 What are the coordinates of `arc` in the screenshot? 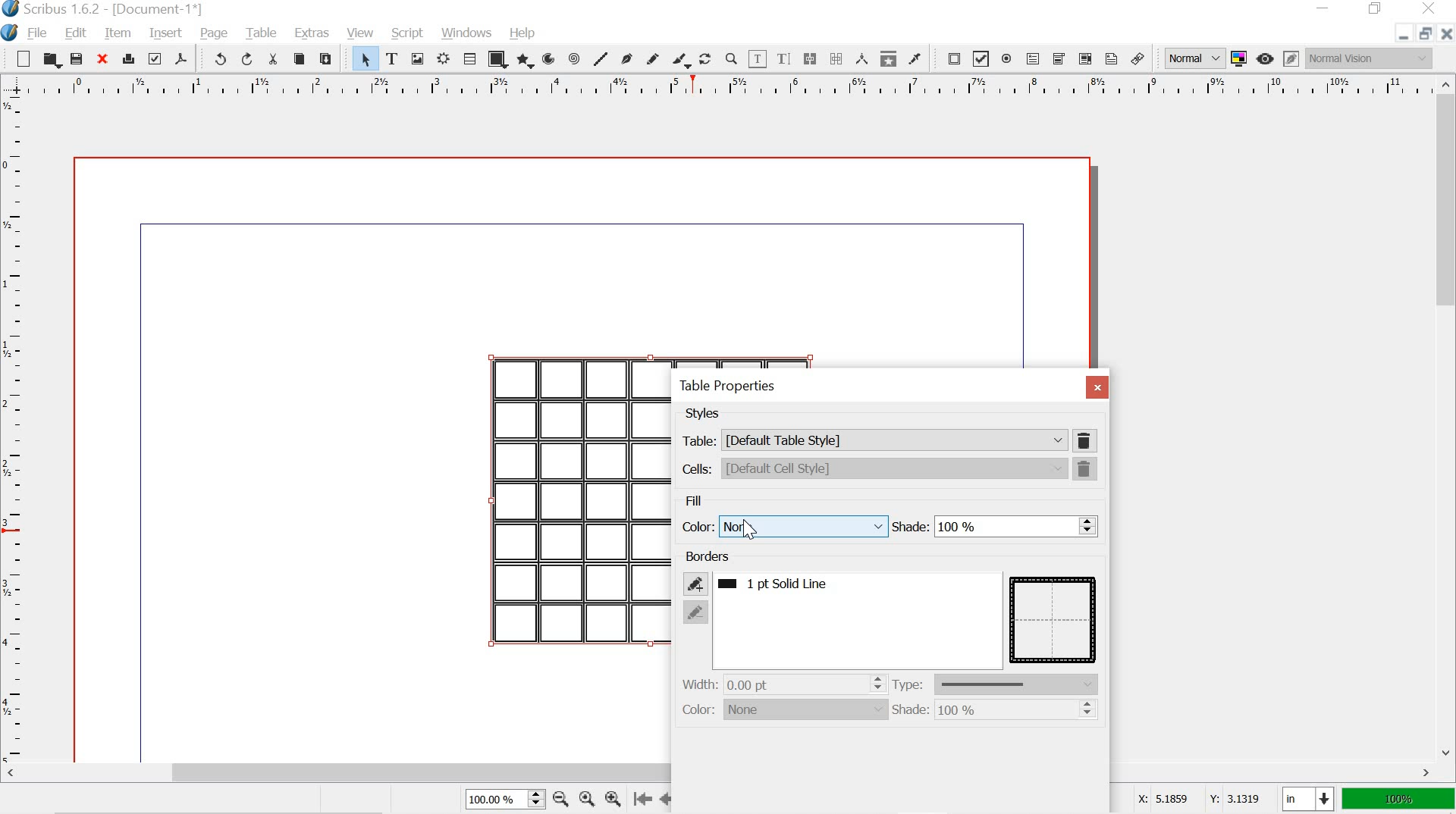 It's located at (547, 58).